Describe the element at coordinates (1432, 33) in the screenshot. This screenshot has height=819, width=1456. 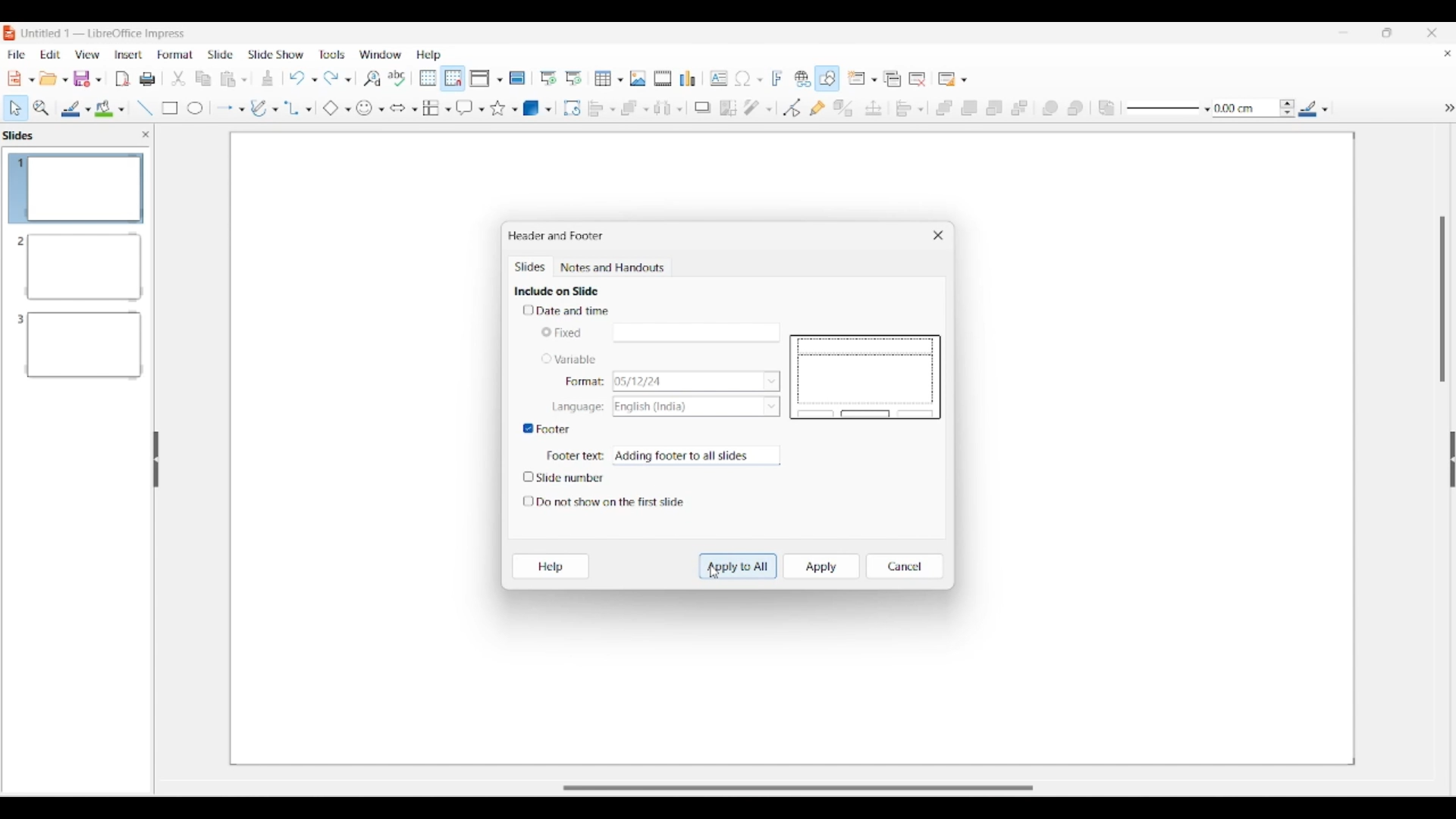
I see `Close interface` at that location.